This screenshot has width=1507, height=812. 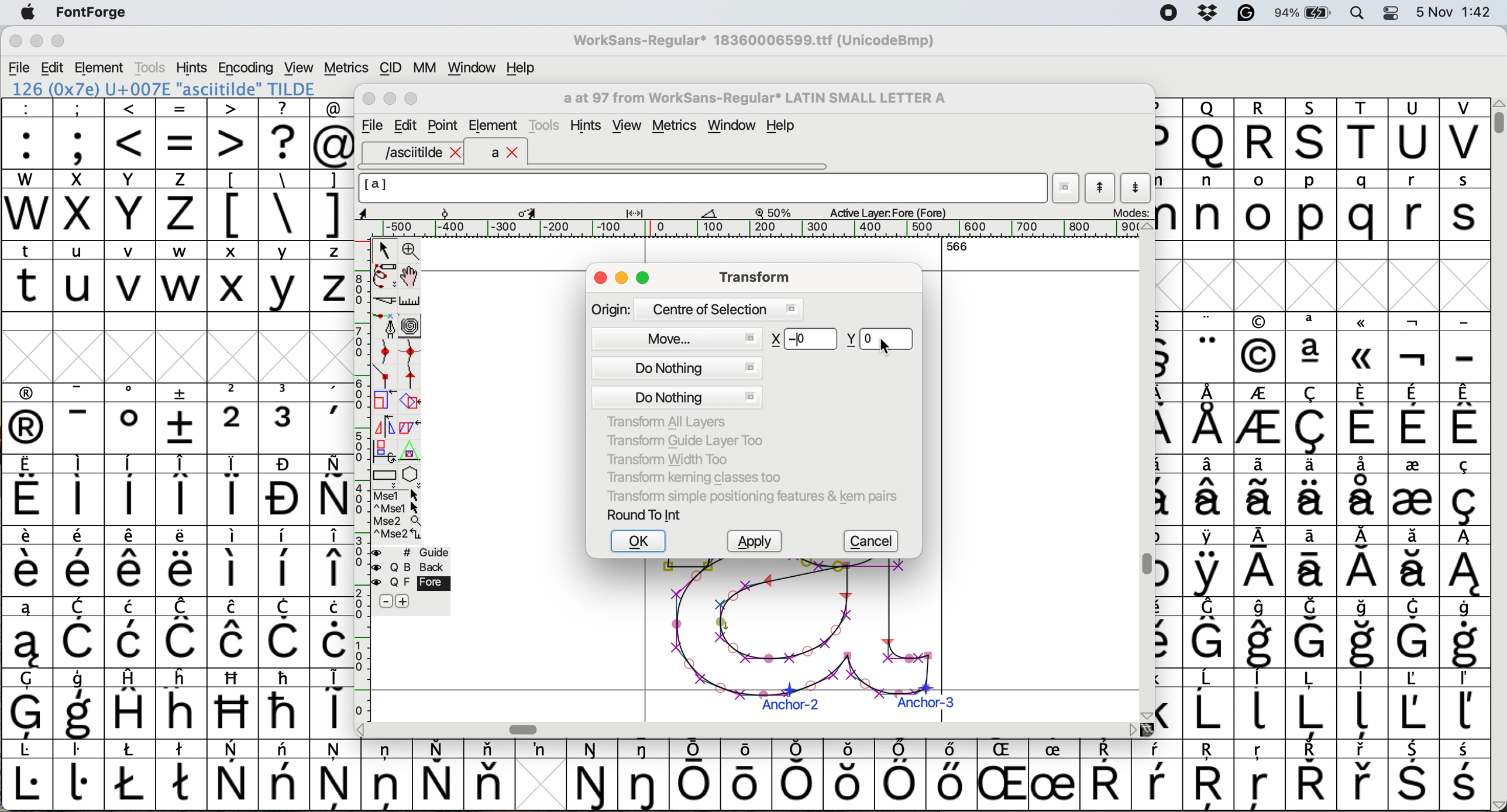 I want to click on >, so click(x=233, y=133).